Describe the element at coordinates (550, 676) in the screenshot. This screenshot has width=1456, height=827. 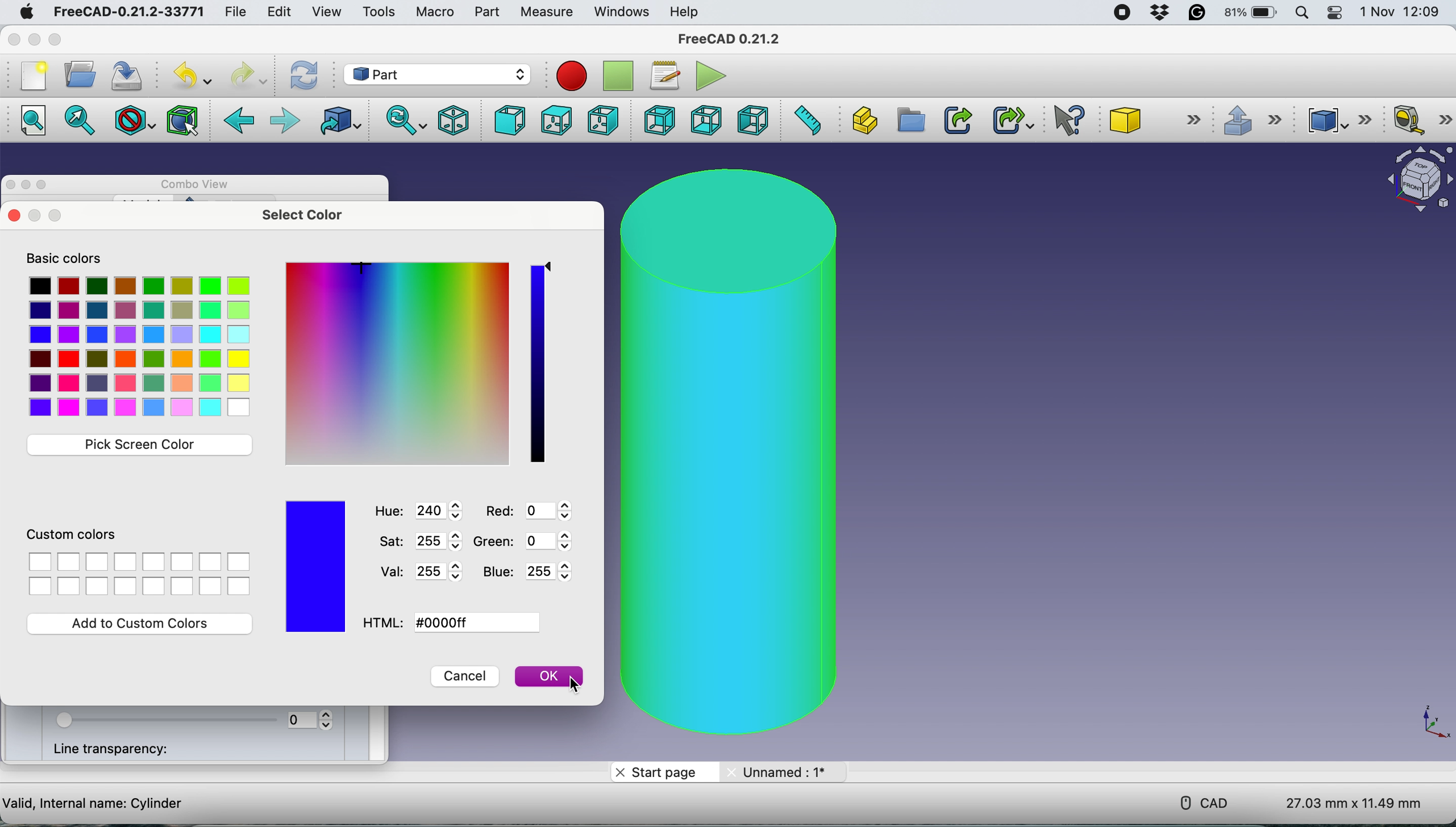
I see `ok` at that location.